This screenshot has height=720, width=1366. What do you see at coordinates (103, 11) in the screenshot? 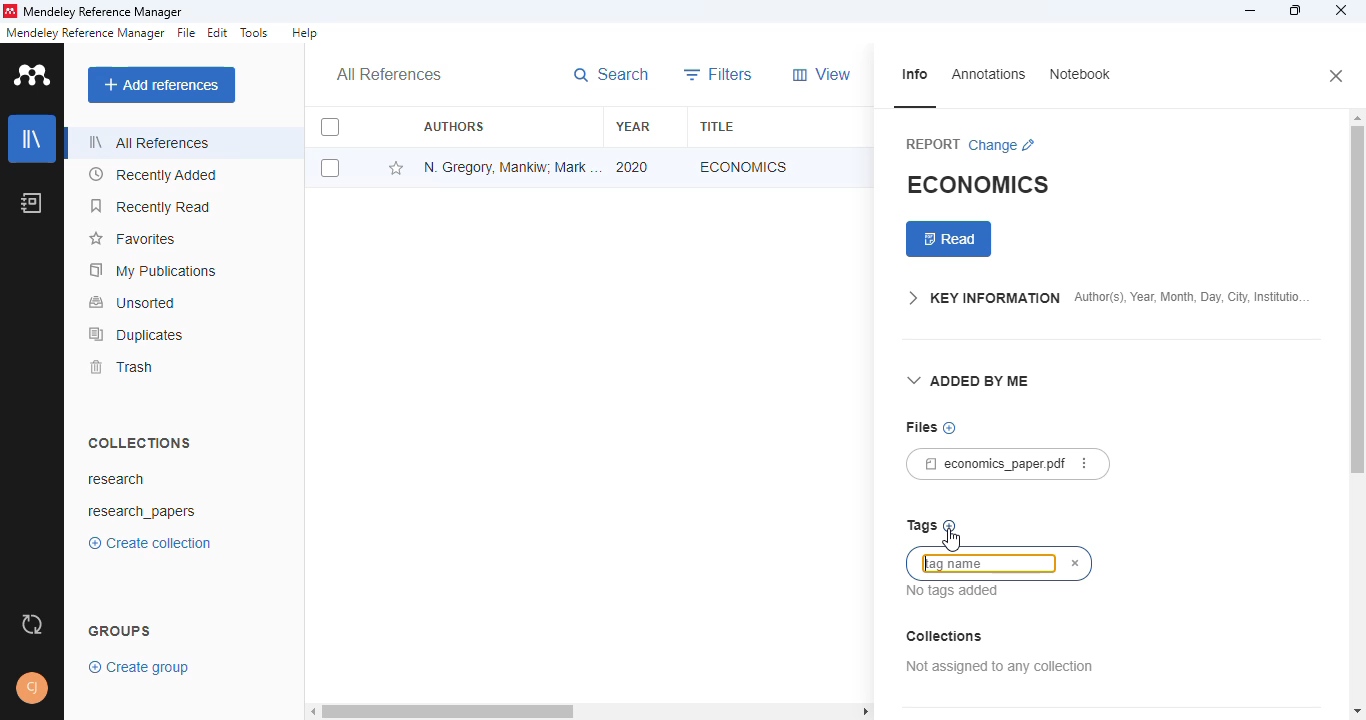
I see `mendeley reference manager` at bounding box center [103, 11].